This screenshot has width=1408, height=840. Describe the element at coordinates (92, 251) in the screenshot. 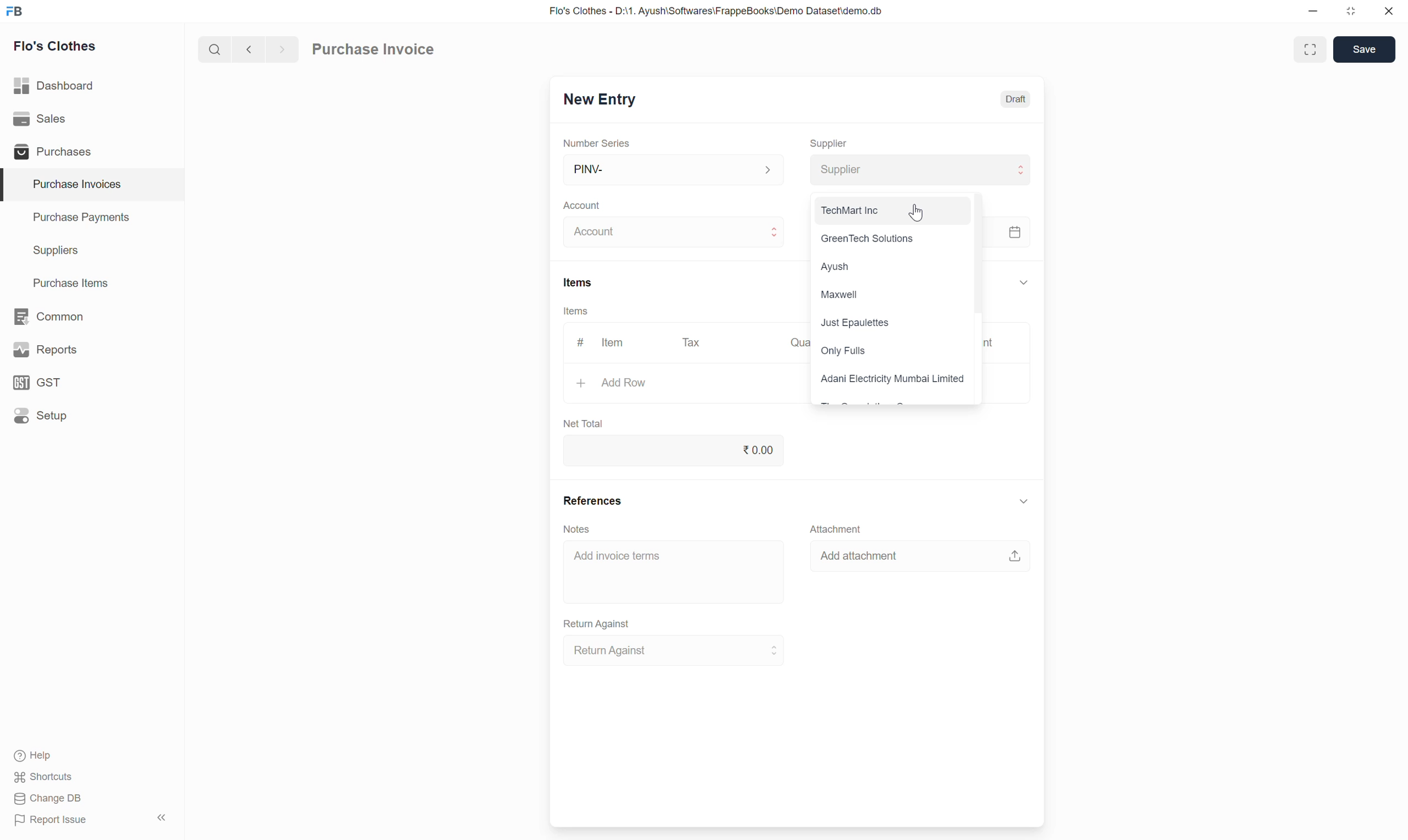

I see `Suppliers` at that location.